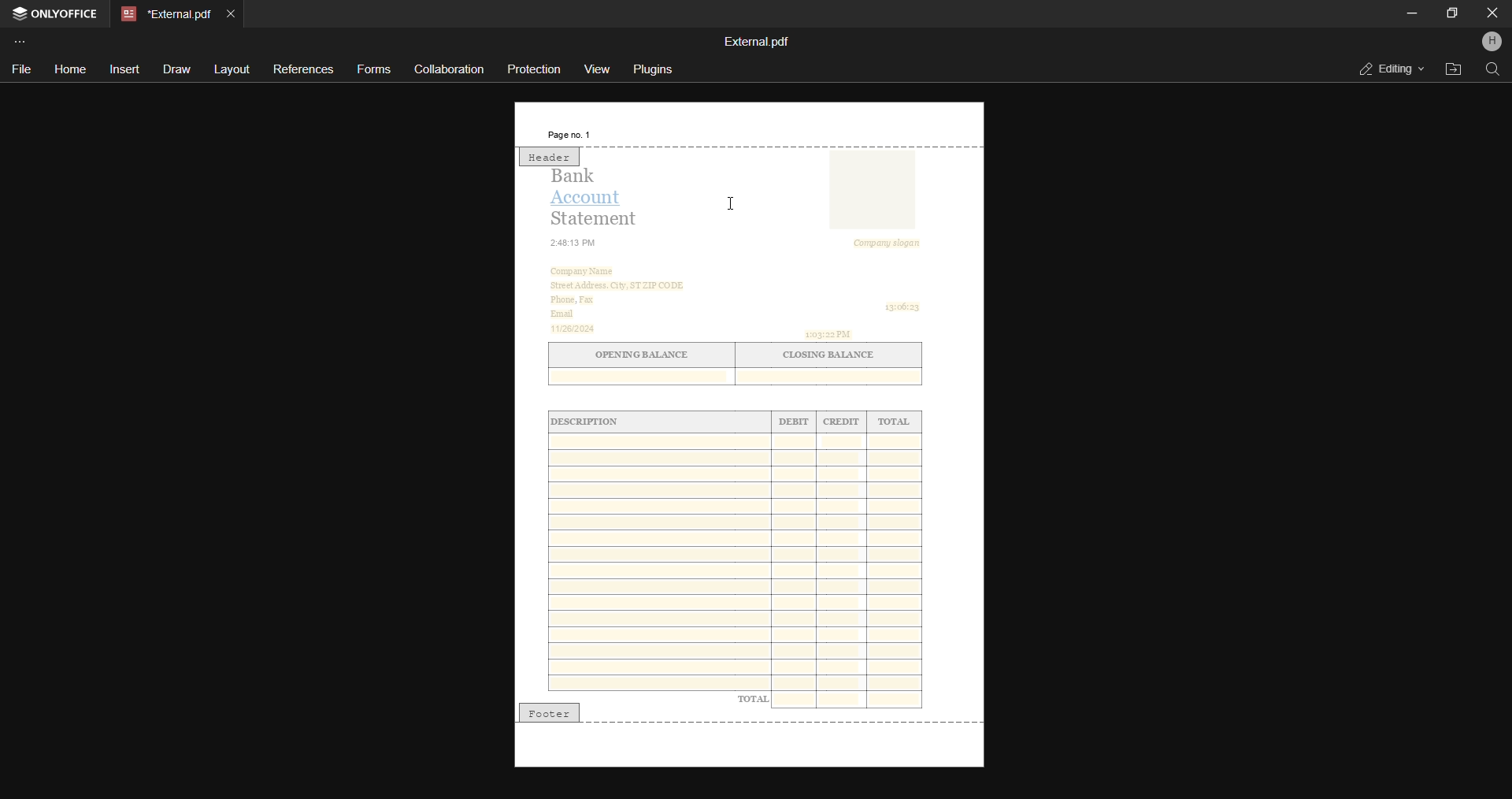 The image size is (1512, 799). What do you see at coordinates (124, 68) in the screenshot?
I see `insert` at bounding box center [124, 68].